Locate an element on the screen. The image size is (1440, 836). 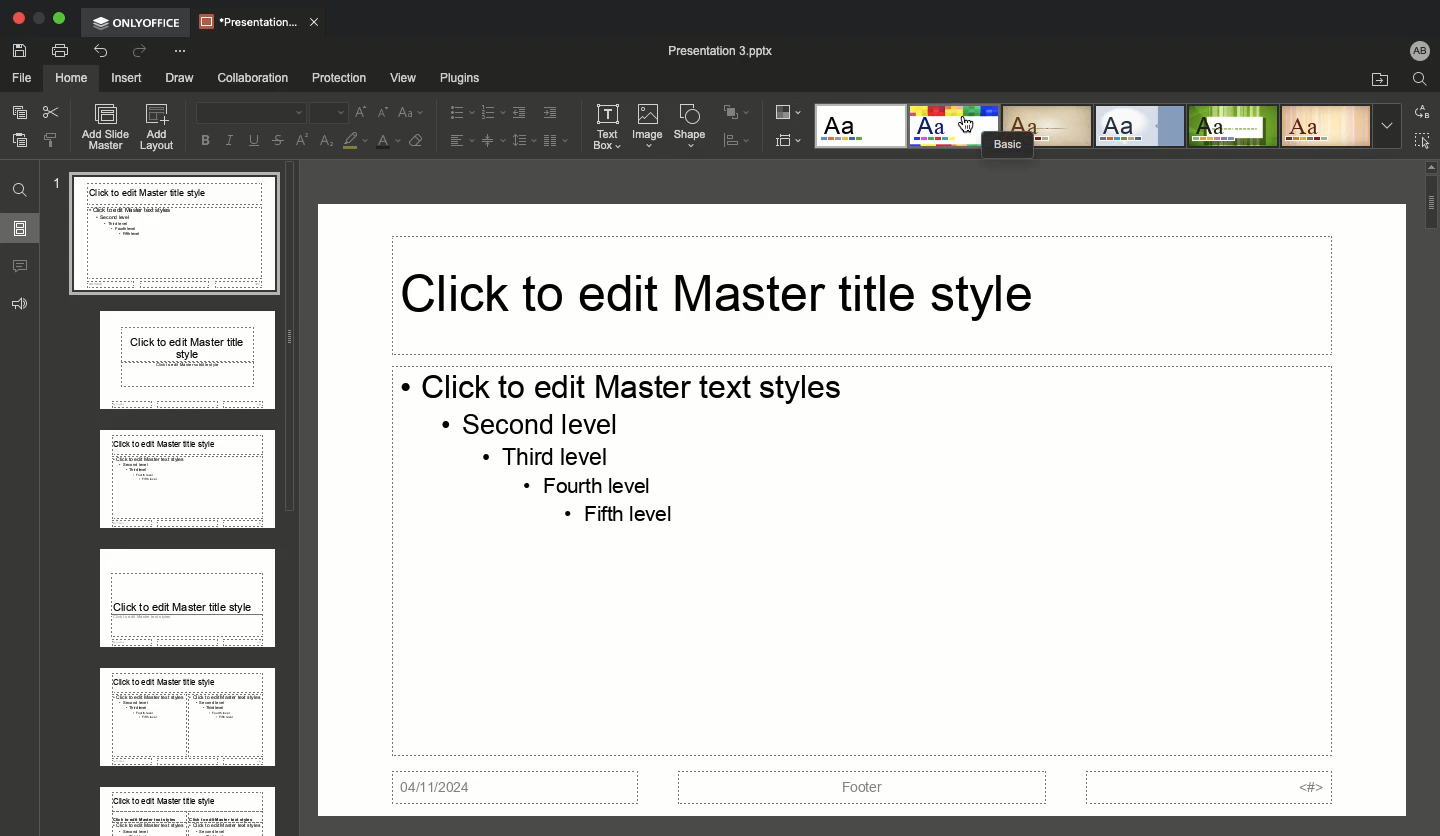
Copy is located at coordinates (19, 115).